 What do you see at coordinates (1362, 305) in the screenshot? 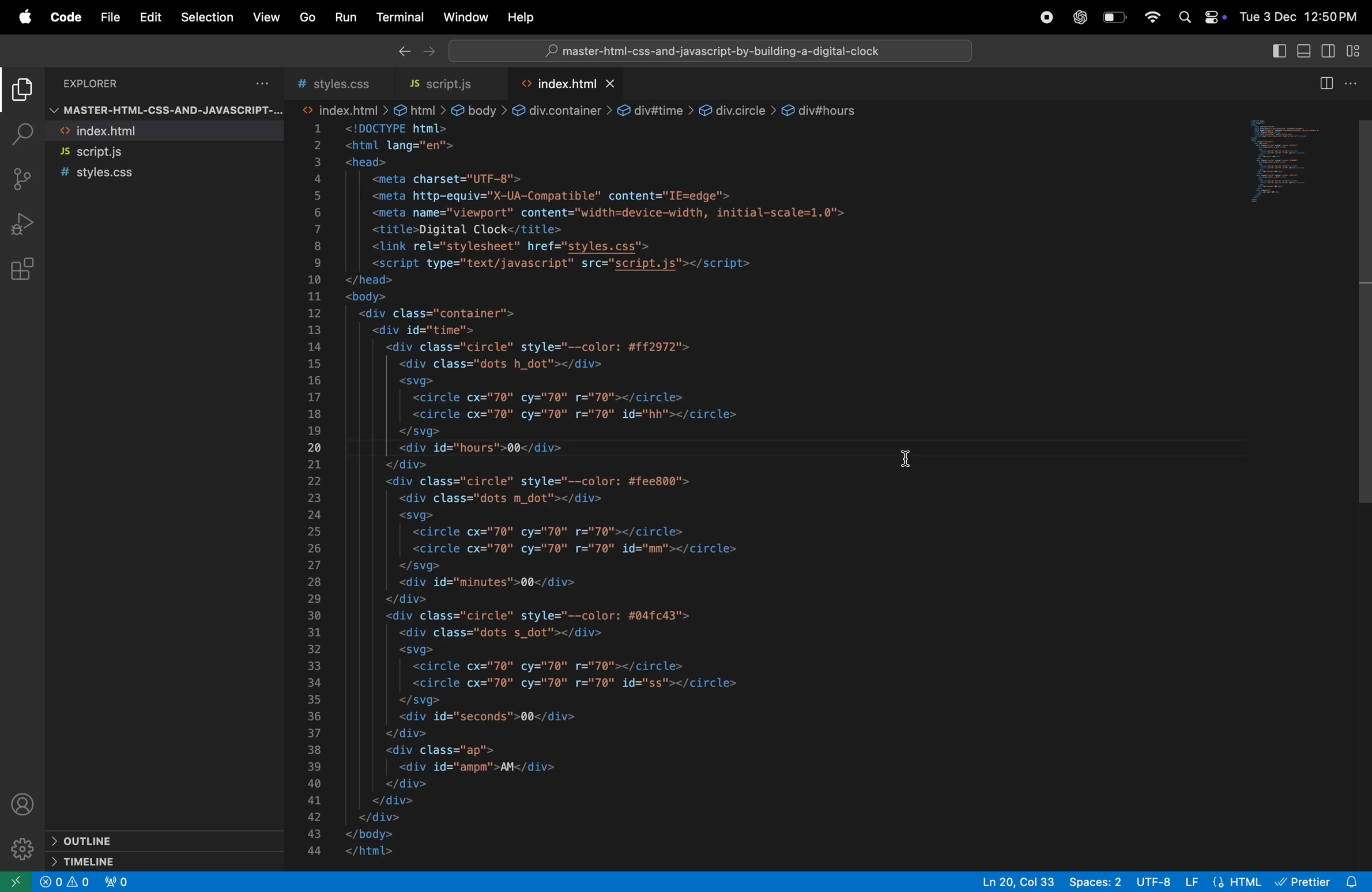
I see `vertical scroll bar` at bounding box center [1362, 305].